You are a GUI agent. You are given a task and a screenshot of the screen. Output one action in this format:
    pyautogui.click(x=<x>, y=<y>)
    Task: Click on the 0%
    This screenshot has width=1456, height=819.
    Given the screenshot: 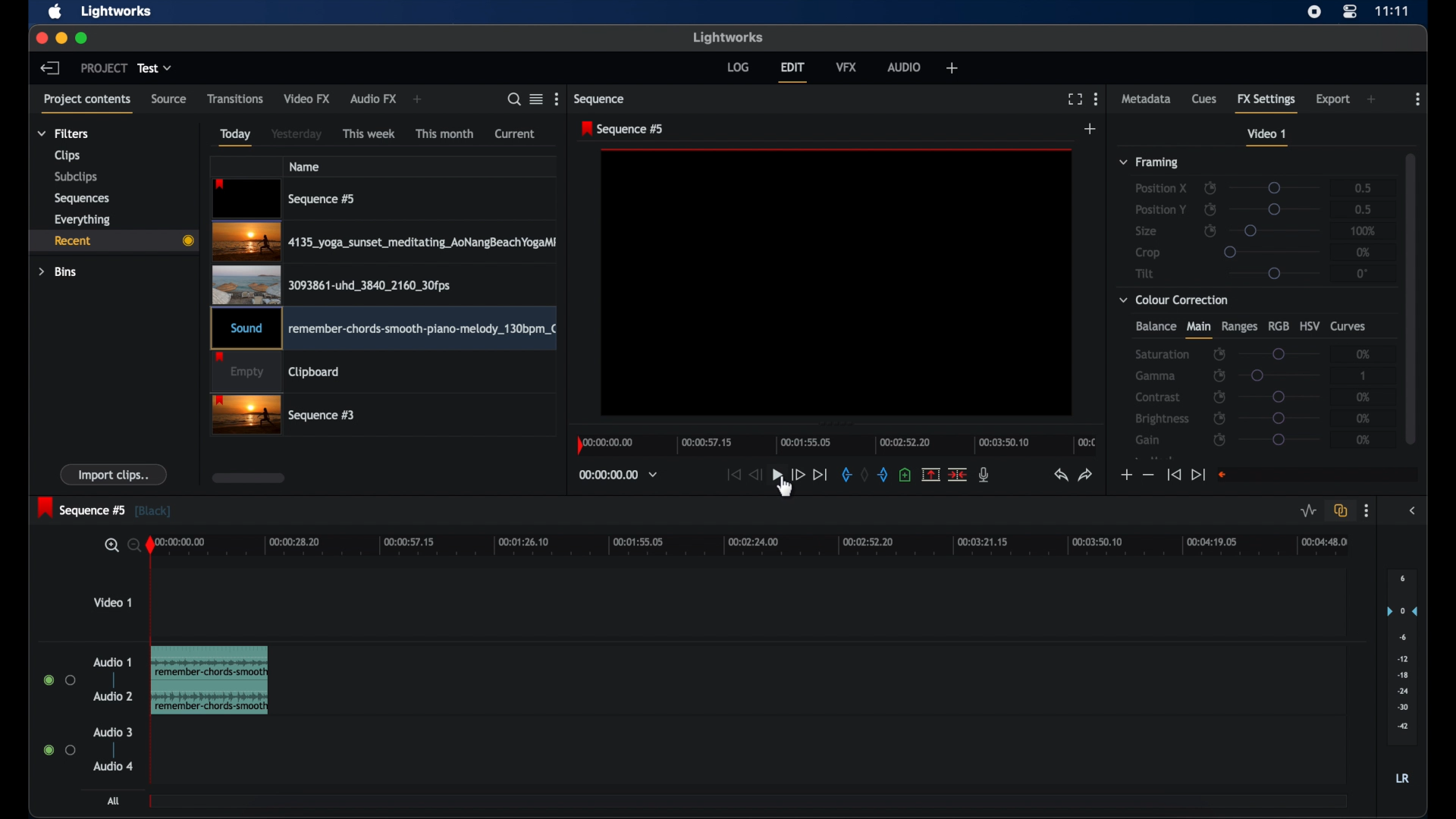 What is the action you would take?
    pyautogui.click(x=1363, y=252)
    